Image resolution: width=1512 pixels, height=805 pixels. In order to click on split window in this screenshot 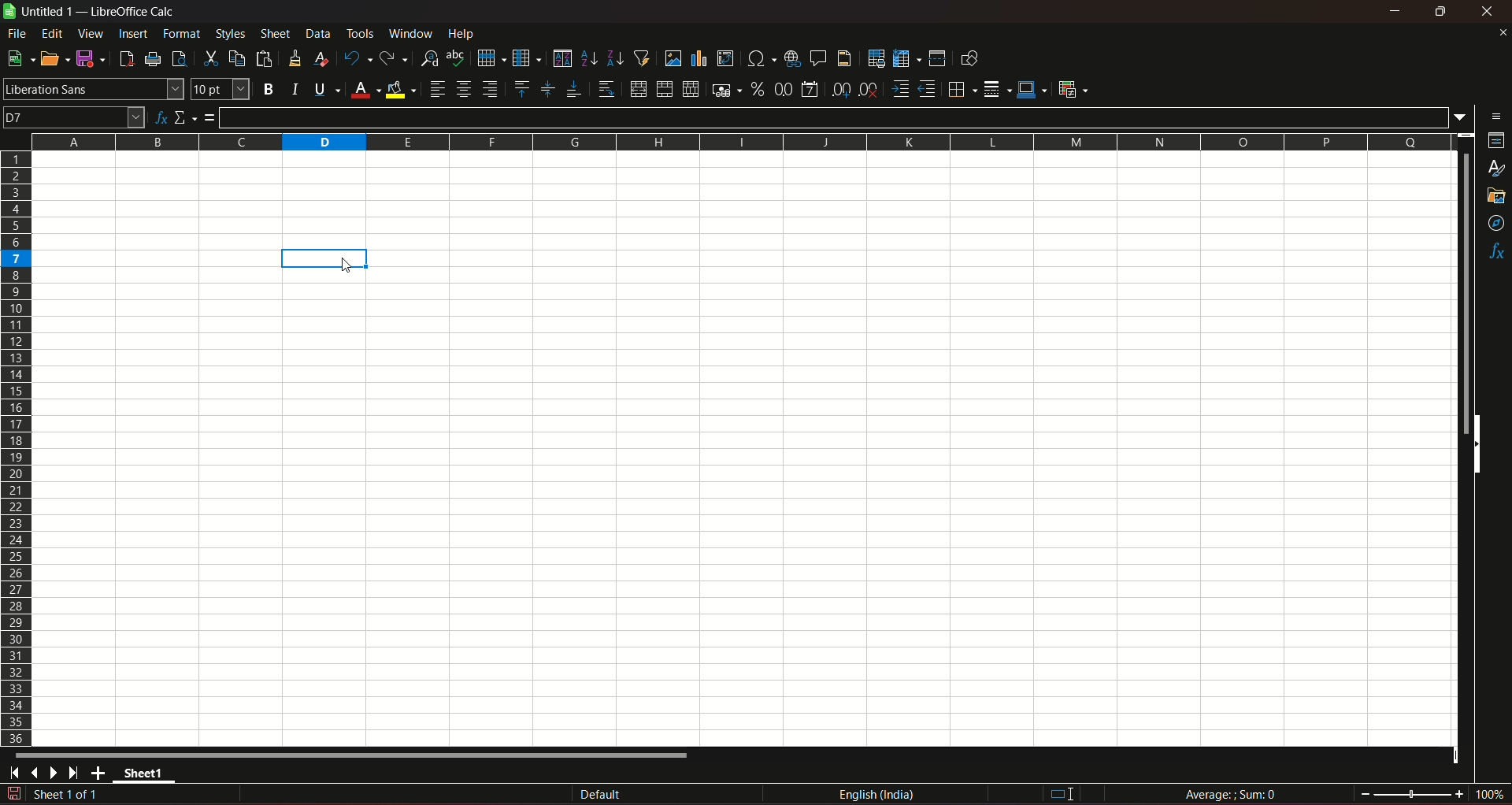, I will do `click(937, 58)`.